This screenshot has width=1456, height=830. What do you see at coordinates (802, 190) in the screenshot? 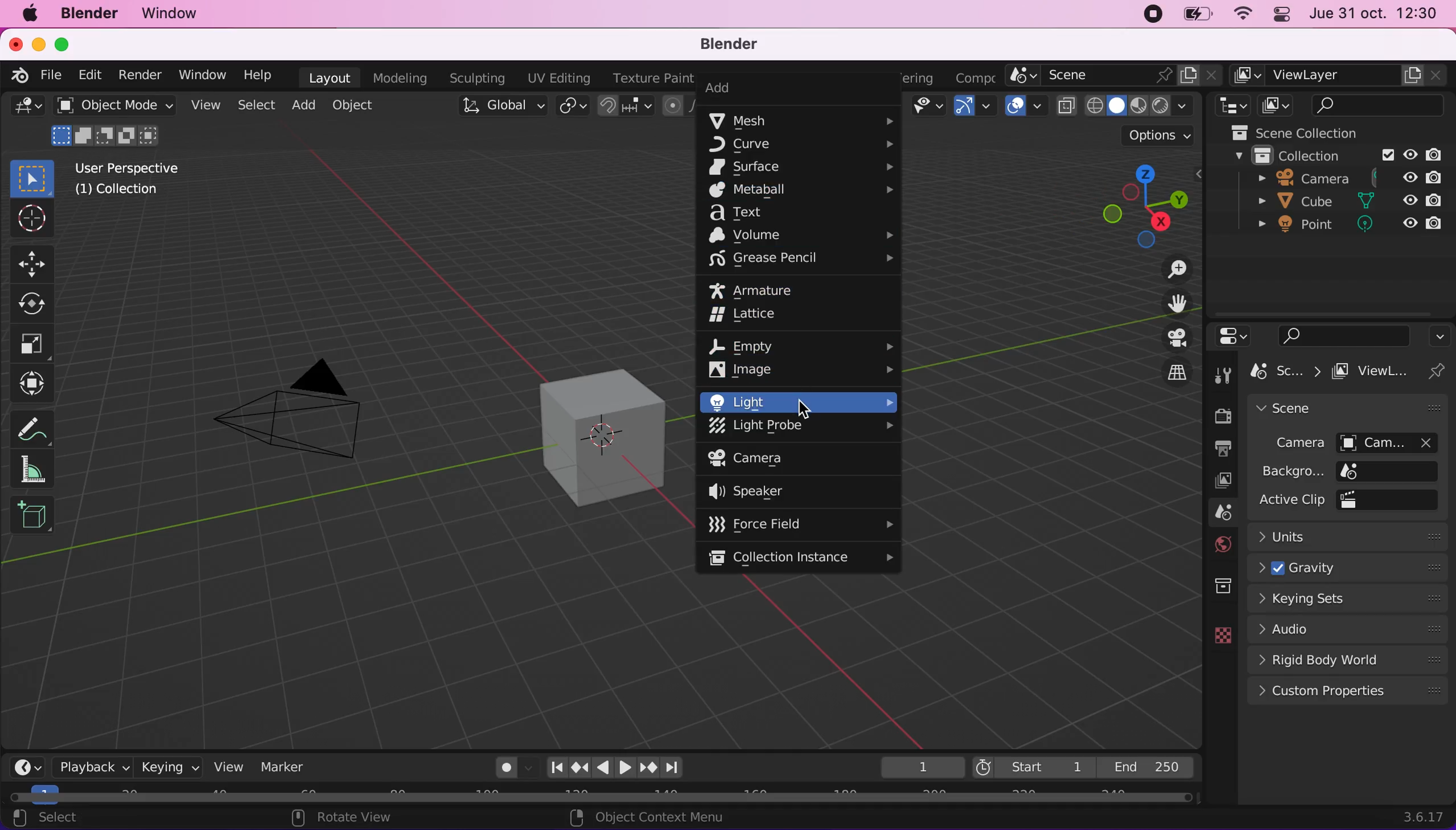
I see `metaball` at bounding box center [802, 190].